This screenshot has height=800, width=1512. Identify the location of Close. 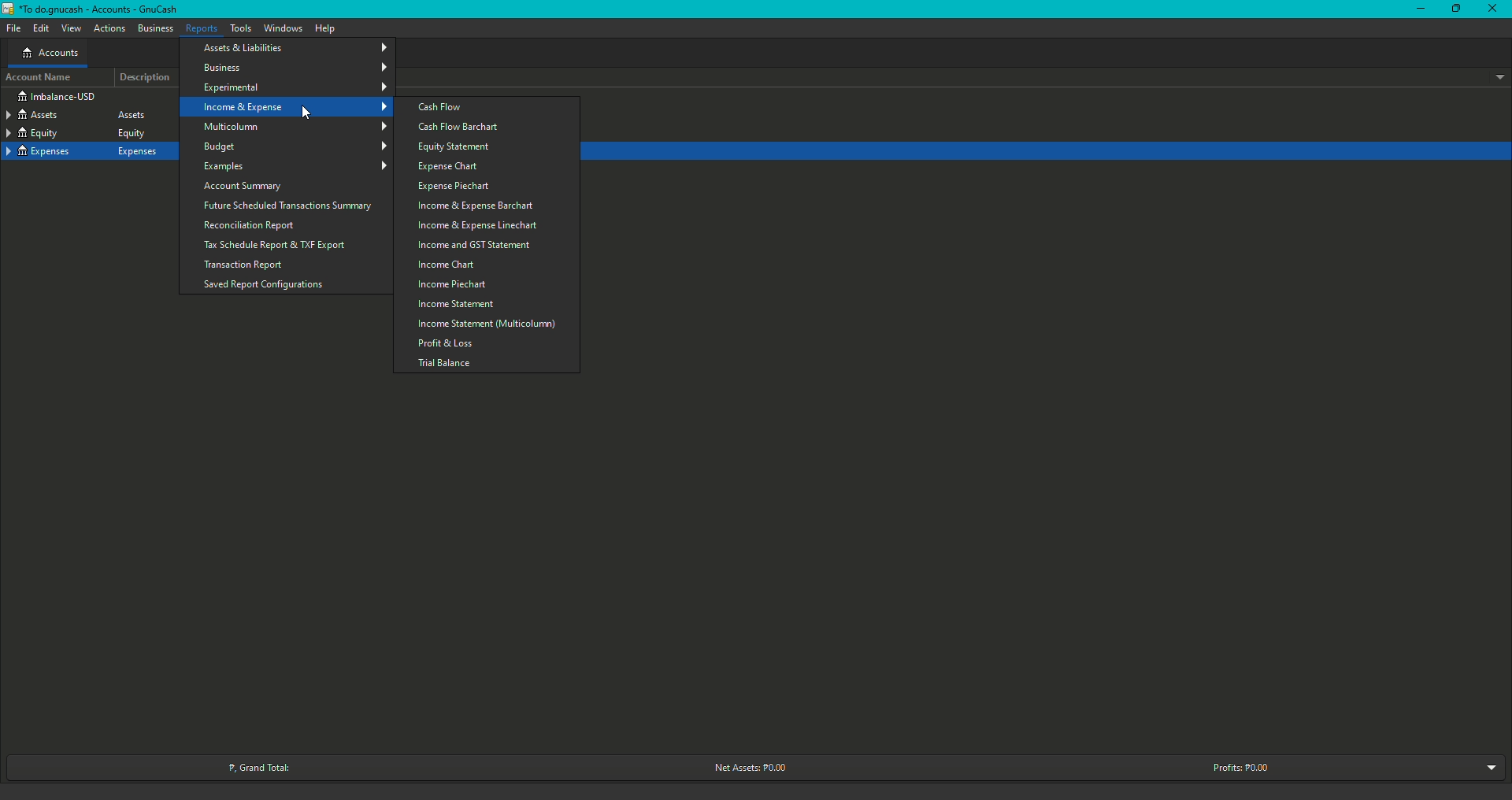
(1492, 10).